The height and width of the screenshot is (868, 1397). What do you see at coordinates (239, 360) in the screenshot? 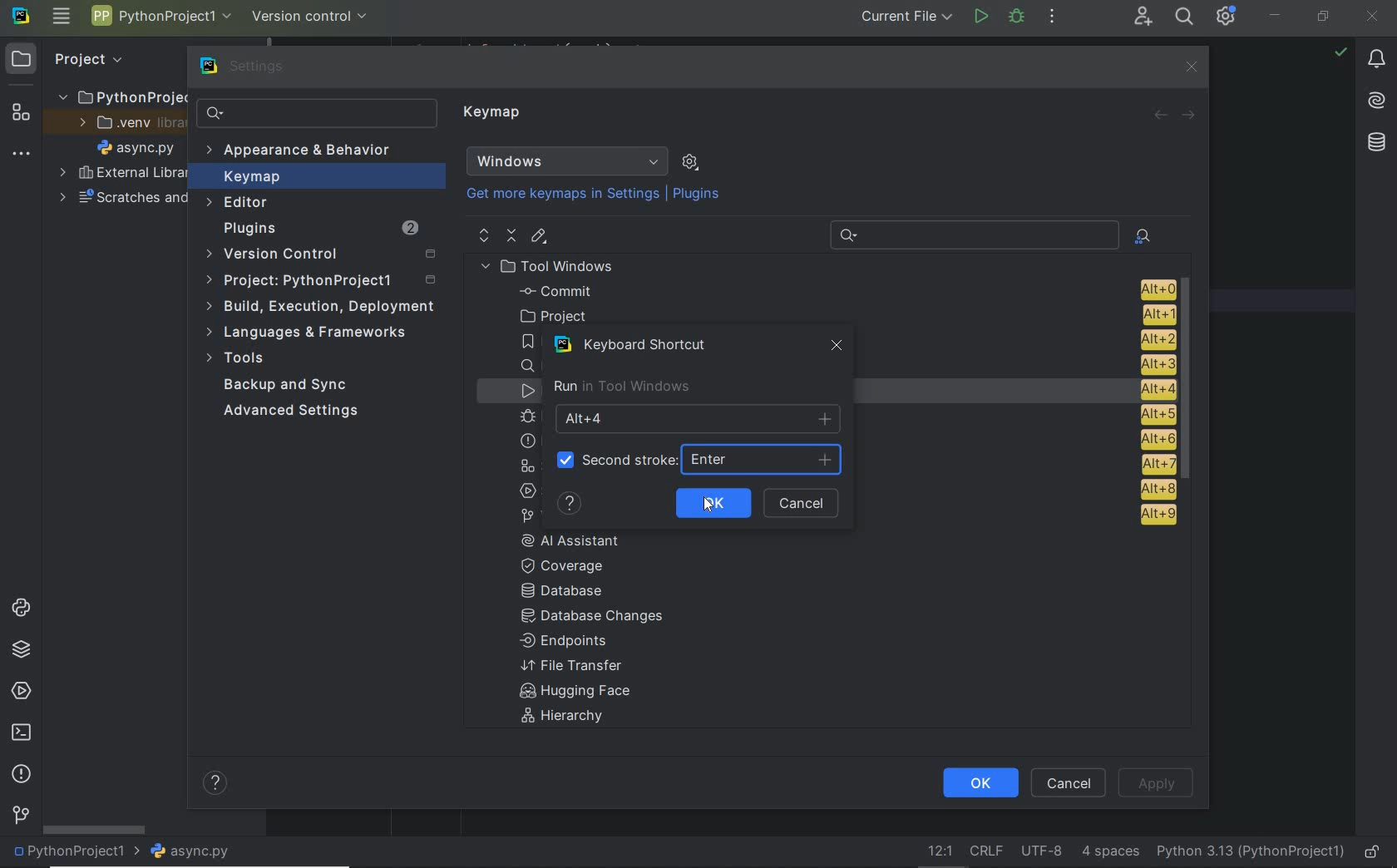
I see `Tools` at bounding box center [239, 360].